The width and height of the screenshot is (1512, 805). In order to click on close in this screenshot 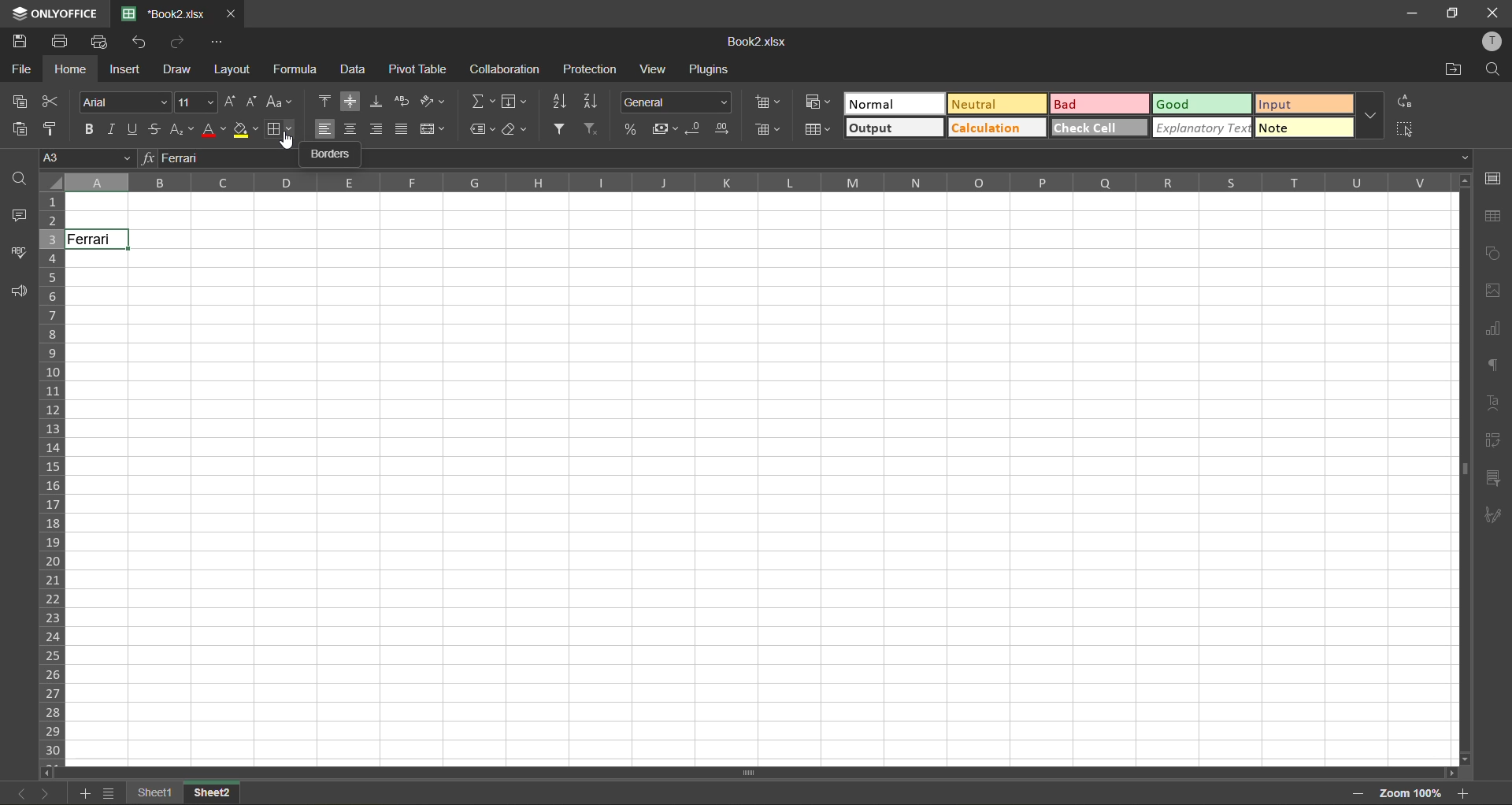, I will do `click(232, 14)`.